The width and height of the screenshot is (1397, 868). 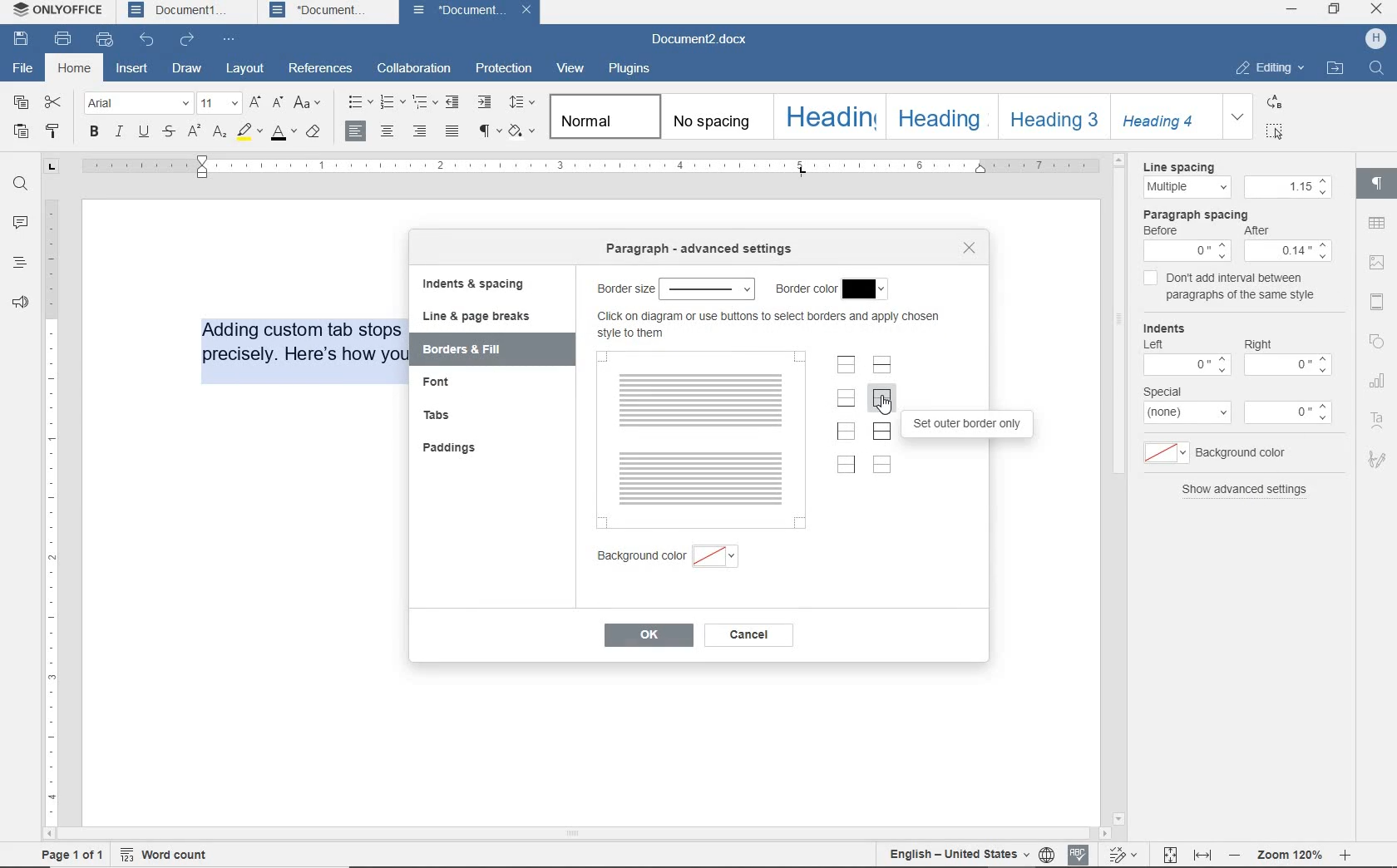 I want to click on page 1 of 1, so click(x=71, y=856).